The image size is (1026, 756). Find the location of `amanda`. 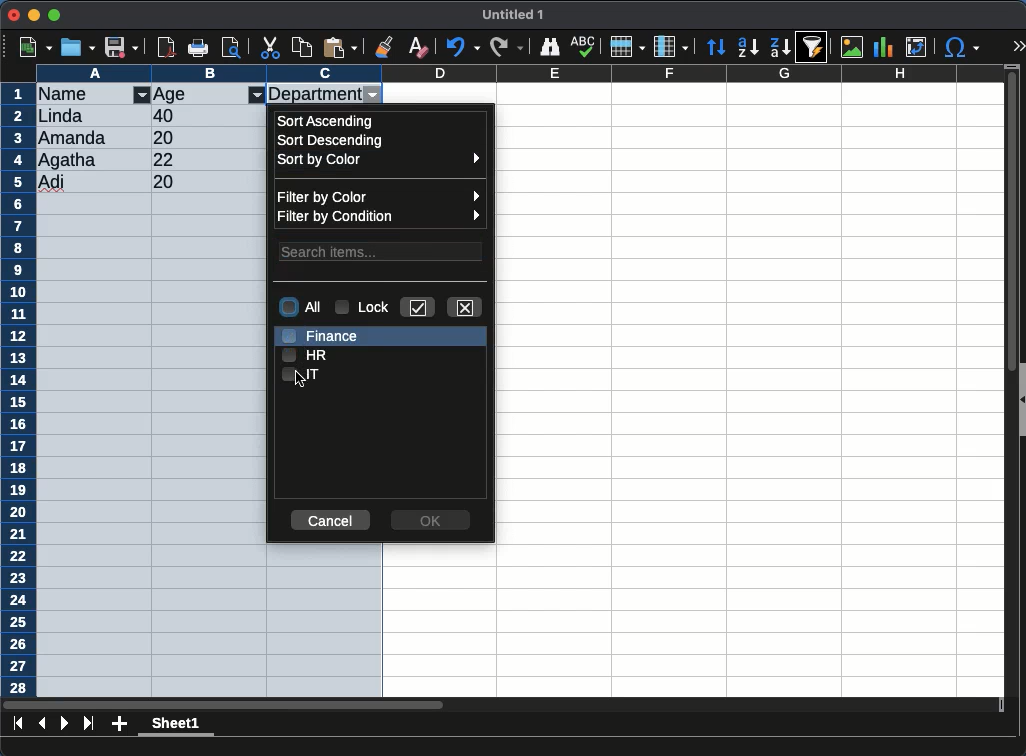

amanda is located at coordinates (74, 137).